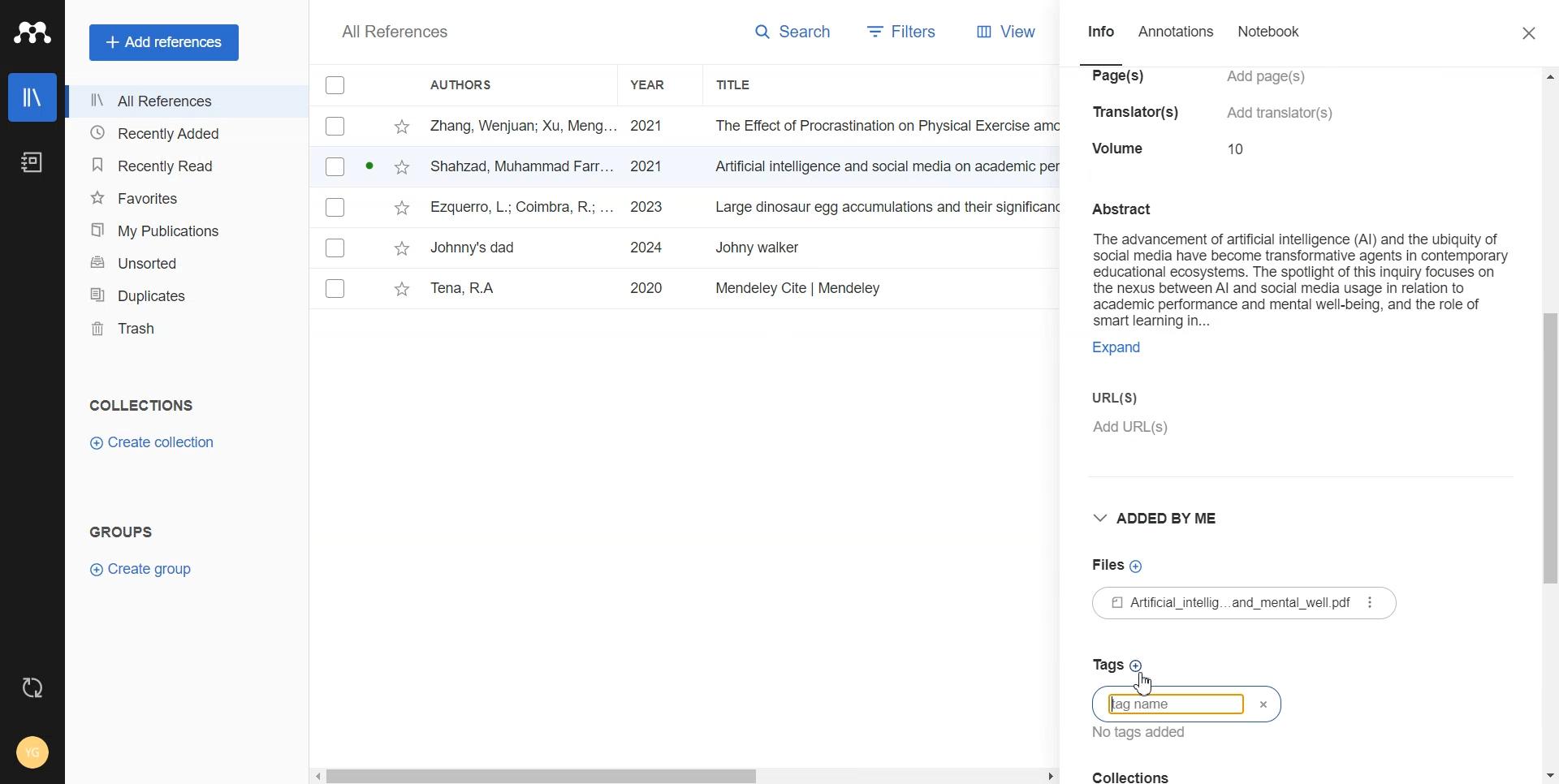 The height and width of the screenshot is (784, 1559). What do you see at coordinates (1531, 32) in the screenshot?
I see `Close` at bounding box center [1531, 32].